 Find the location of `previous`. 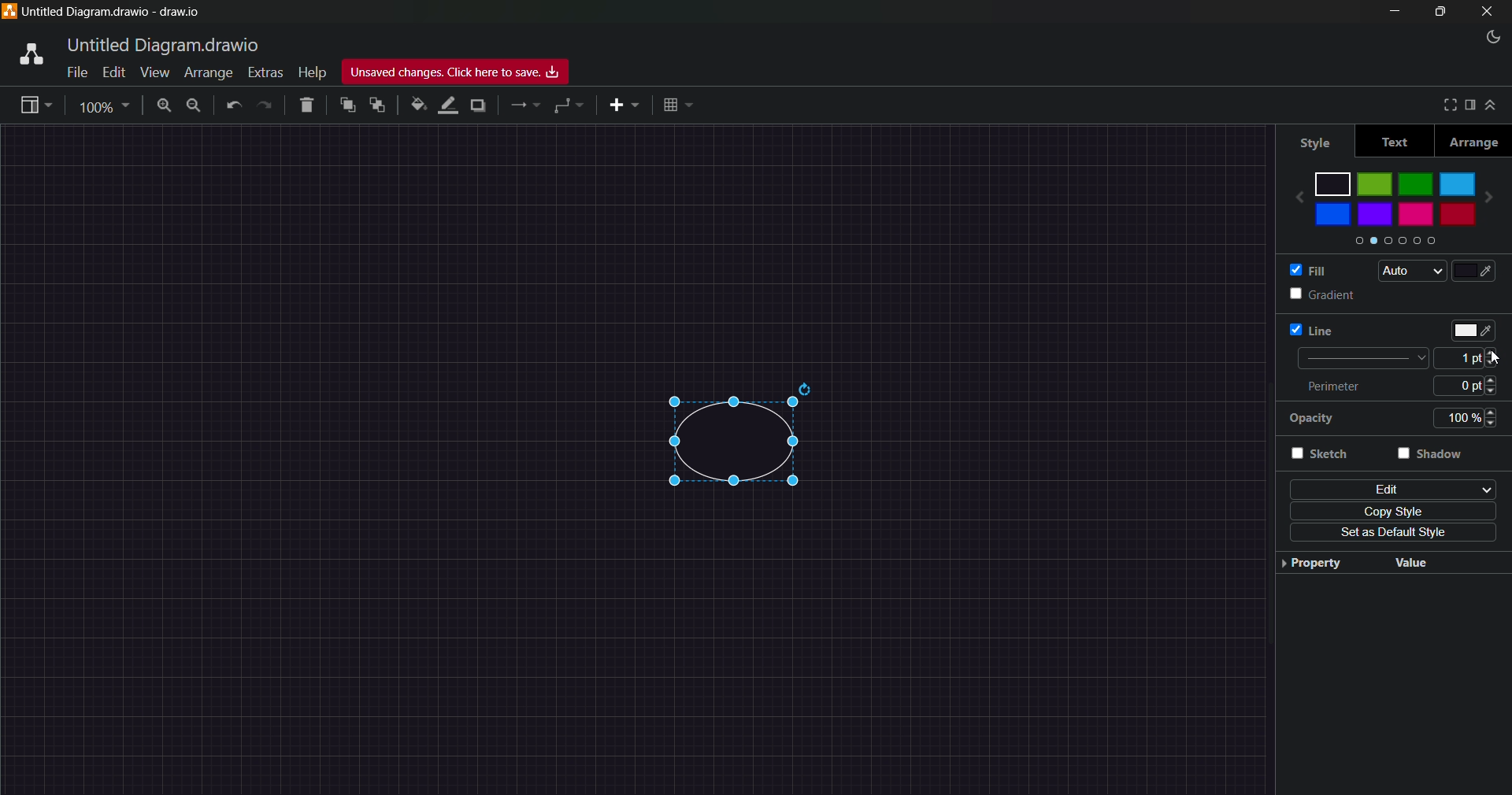

previous is located at coordinates (1297, 201).